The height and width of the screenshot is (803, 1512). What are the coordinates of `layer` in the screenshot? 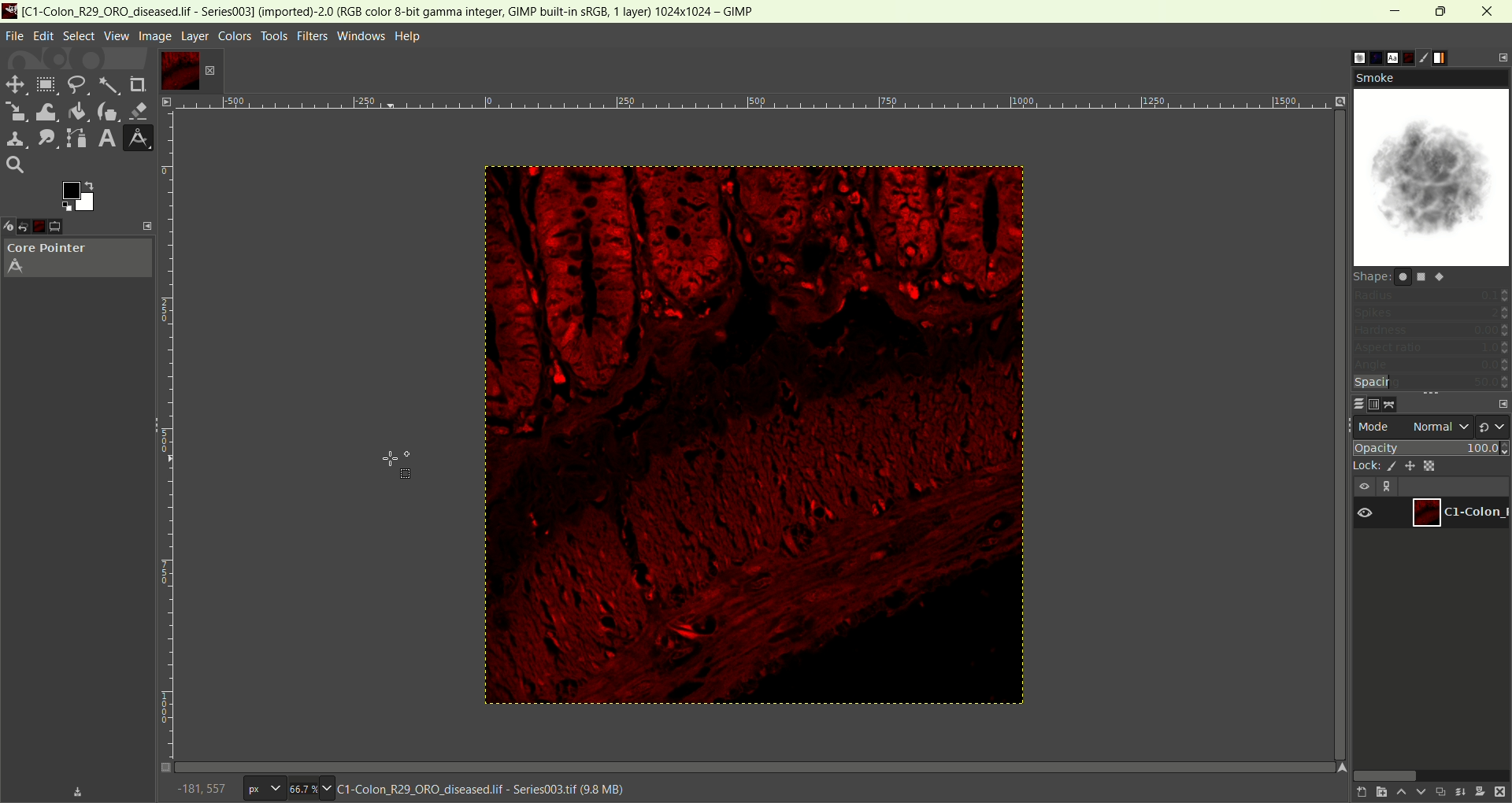 It's located at (195, 37).